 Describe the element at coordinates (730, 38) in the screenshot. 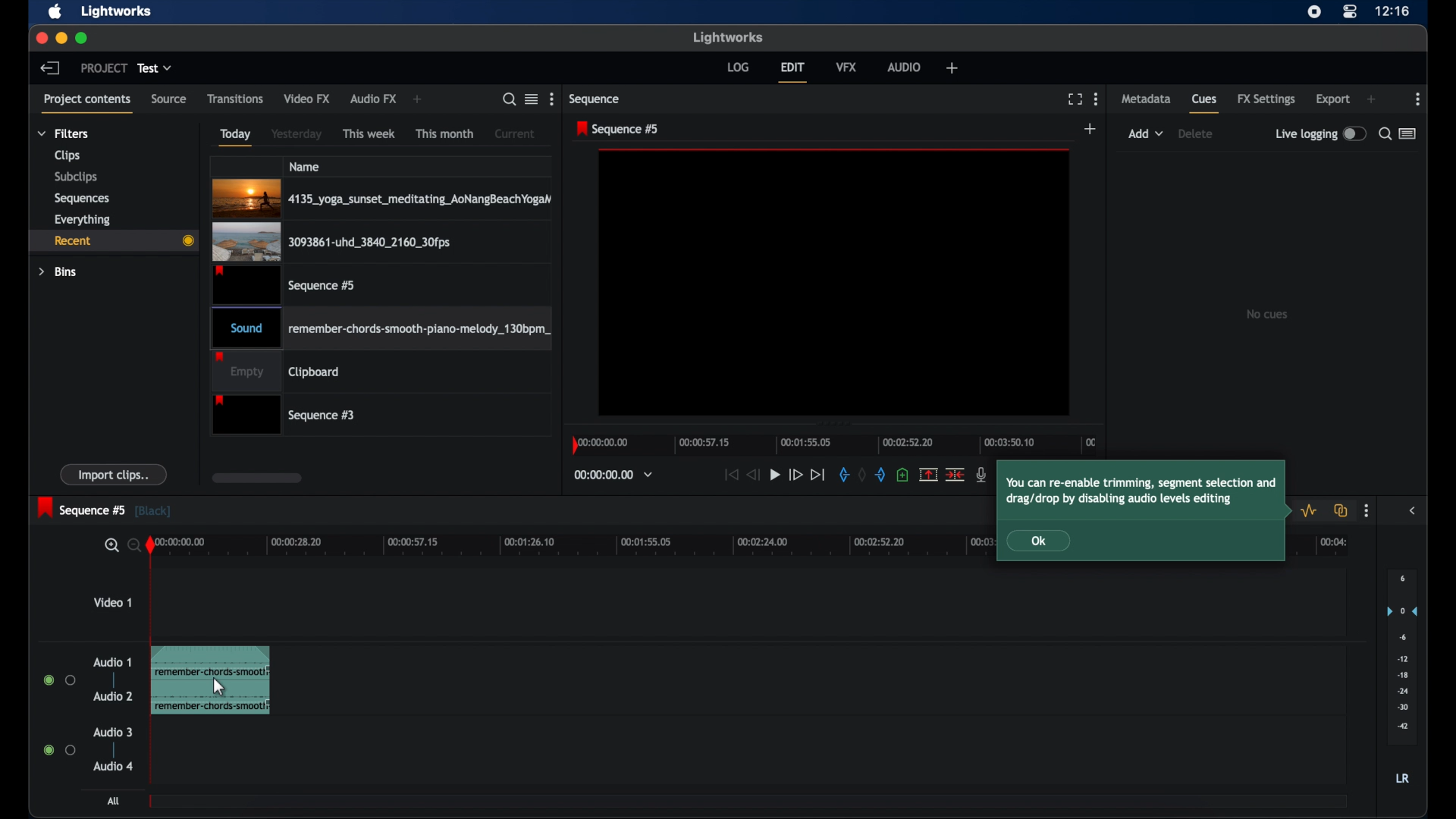

I see `lightworks` at that location.